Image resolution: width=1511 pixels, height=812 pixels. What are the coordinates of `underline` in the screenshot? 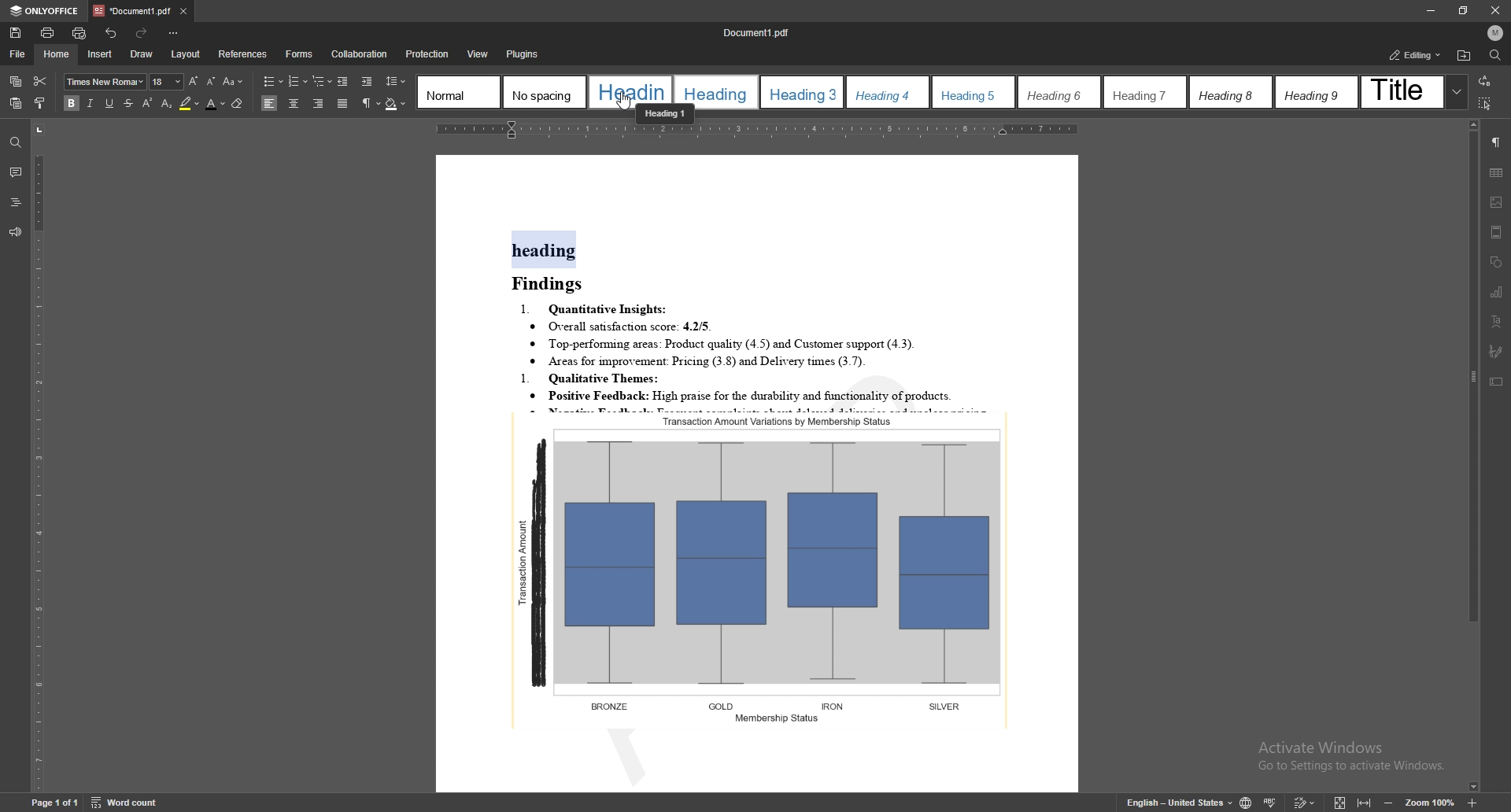 It's located at (109, 104).